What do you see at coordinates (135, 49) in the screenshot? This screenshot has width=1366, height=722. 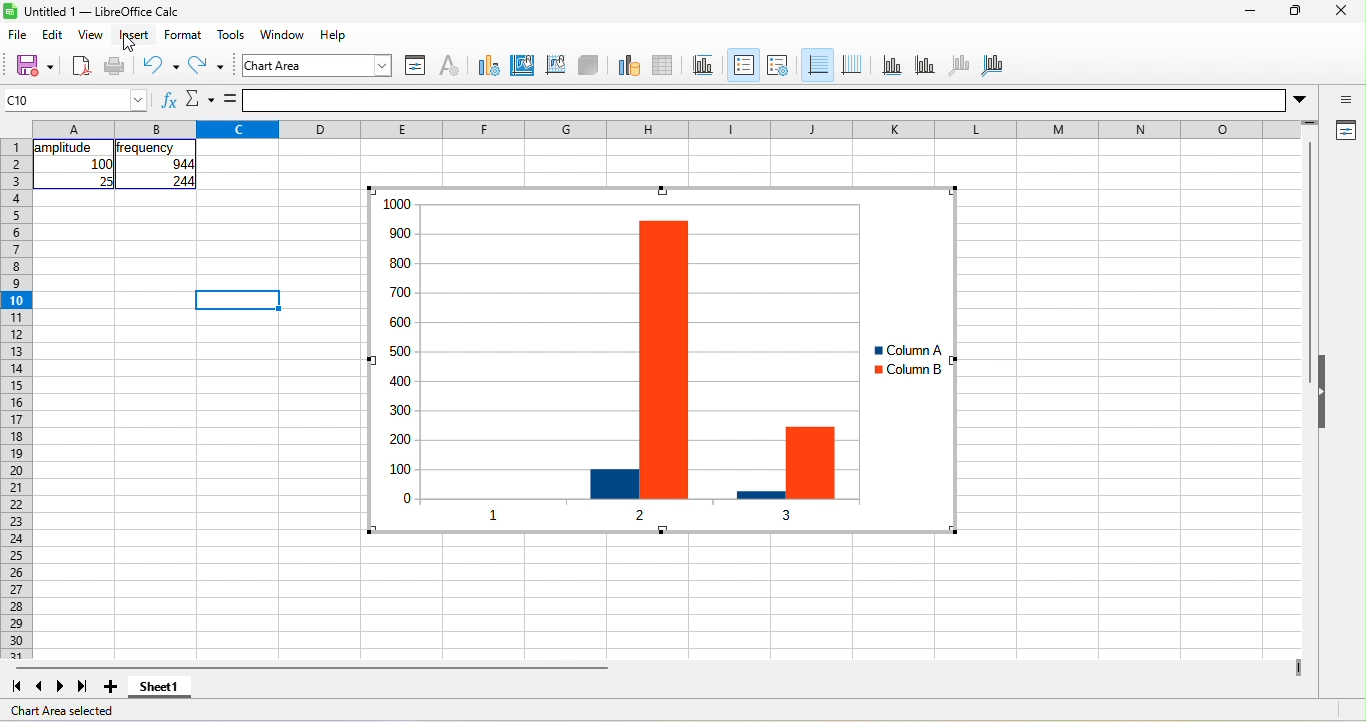 I see `cursor movement` at bounding box center [135, 49].